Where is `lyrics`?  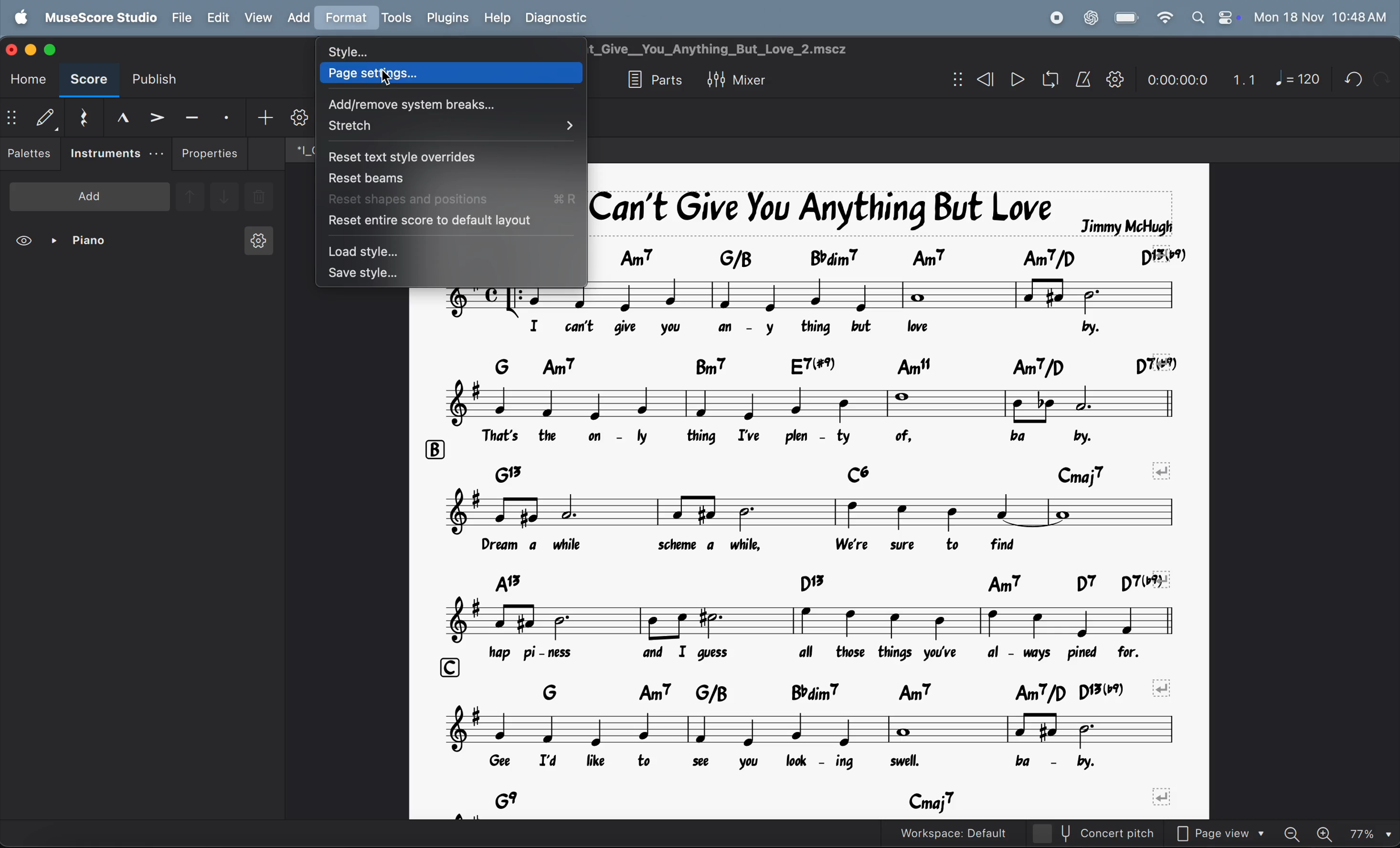 lyrics is located at coordinates (790, 765).